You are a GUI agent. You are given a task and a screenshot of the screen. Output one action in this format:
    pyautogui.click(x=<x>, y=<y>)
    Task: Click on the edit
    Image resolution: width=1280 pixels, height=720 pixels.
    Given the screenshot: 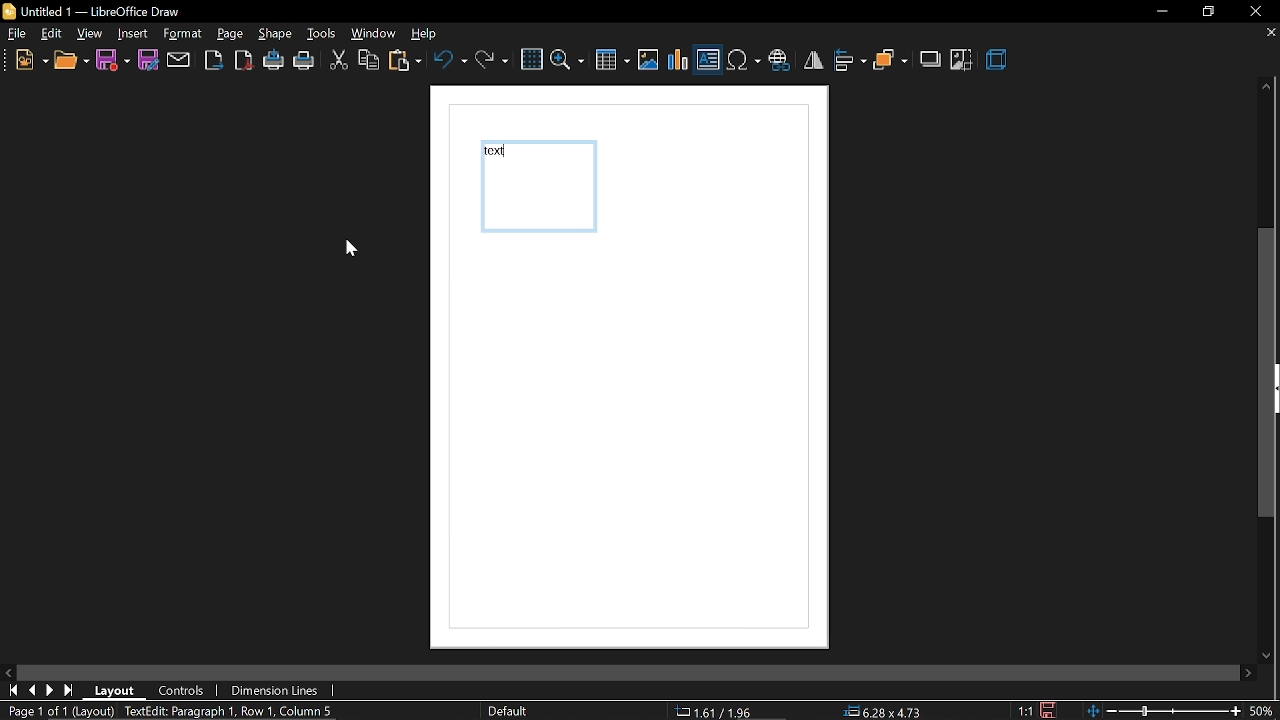 What is the action you would take?
    pyautogui.click(x=53, y=35)
    